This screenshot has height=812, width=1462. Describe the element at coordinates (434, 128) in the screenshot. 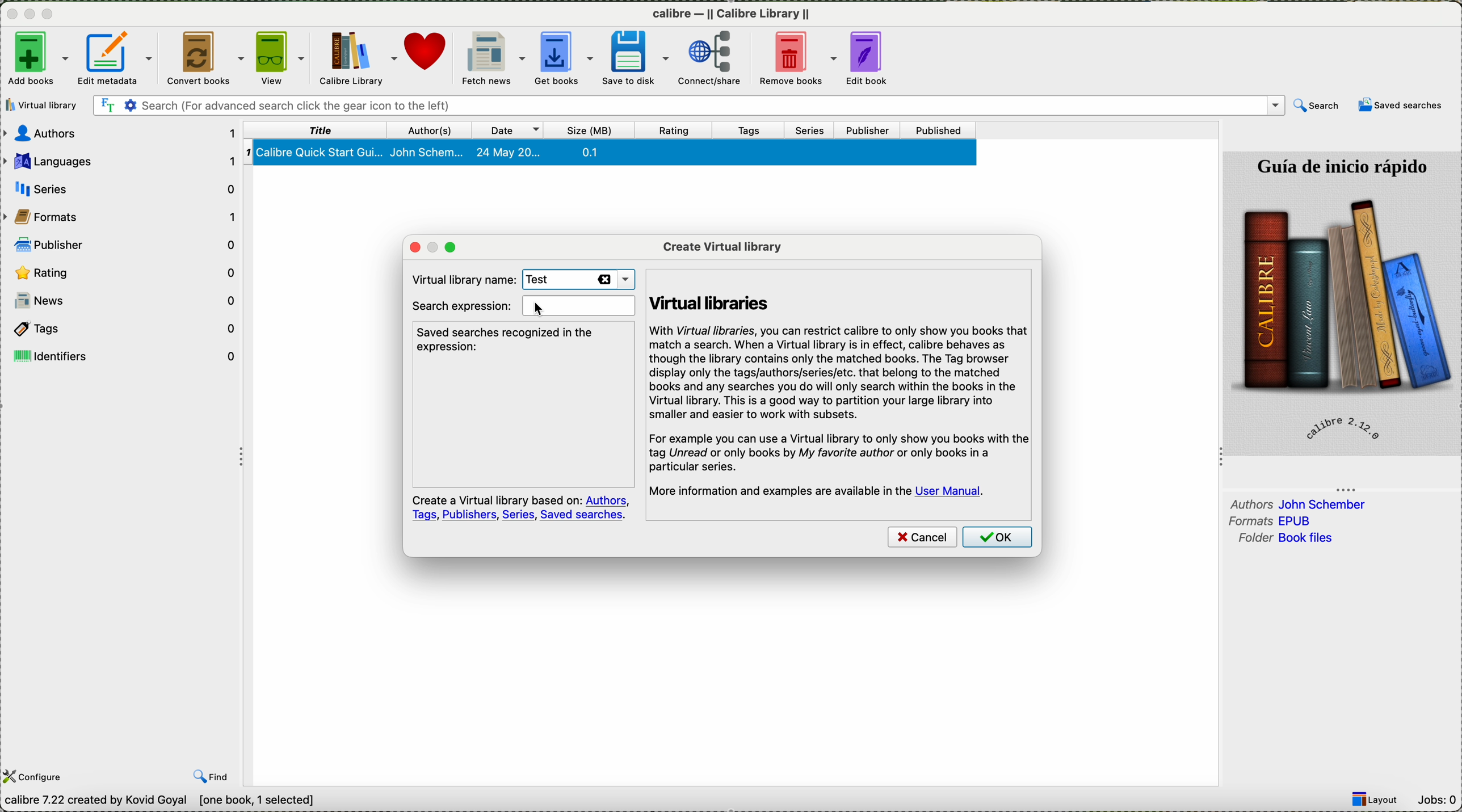

I see `authors` at that location.